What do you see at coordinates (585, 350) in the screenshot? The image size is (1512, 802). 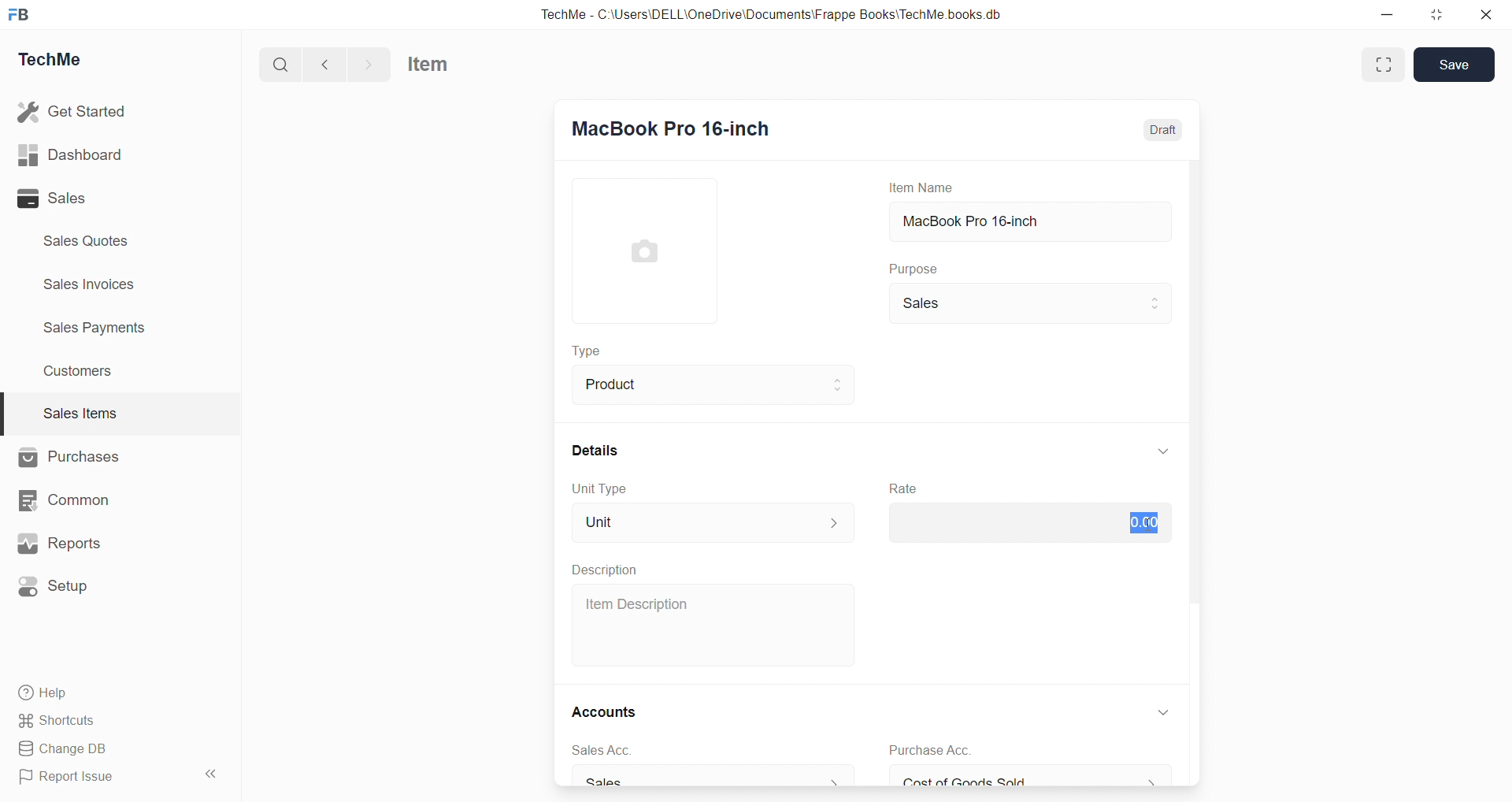 I see `Type` at bounding box center [585, 350].